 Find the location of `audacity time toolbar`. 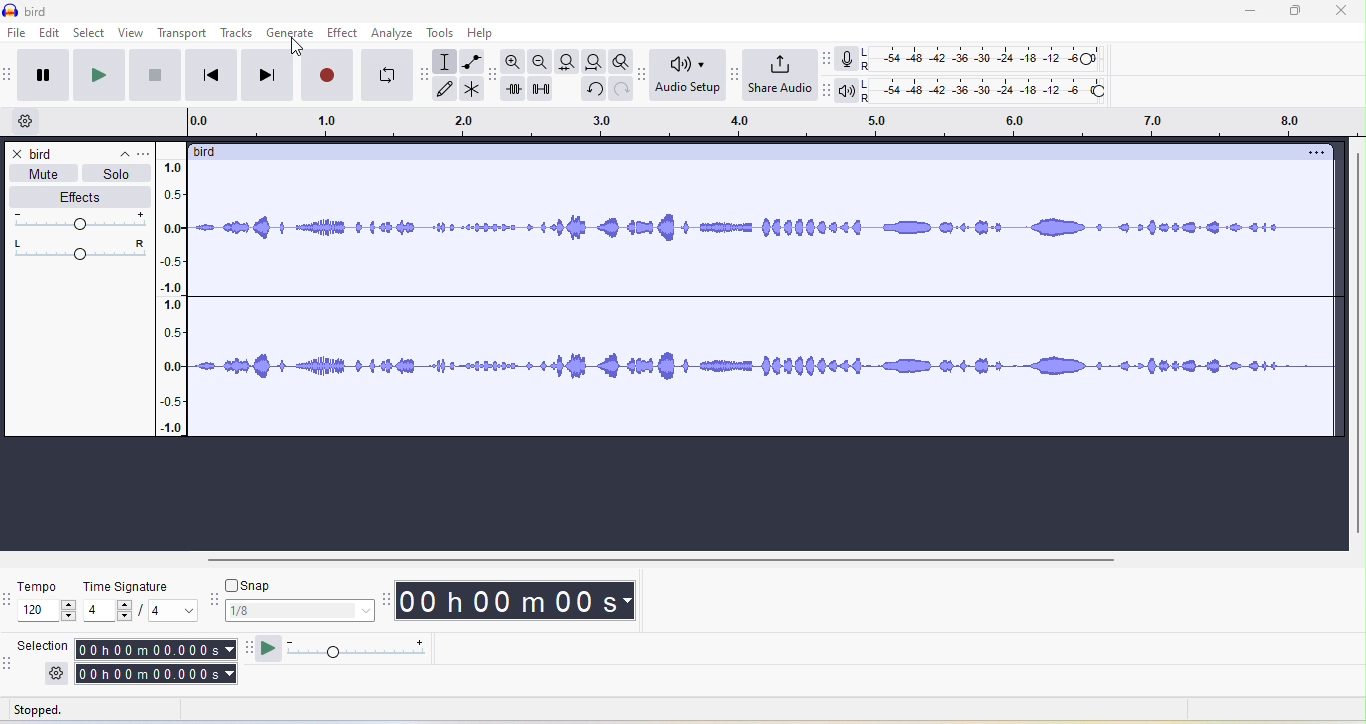

audacity time toolbar is located at coordinates (388, 601).